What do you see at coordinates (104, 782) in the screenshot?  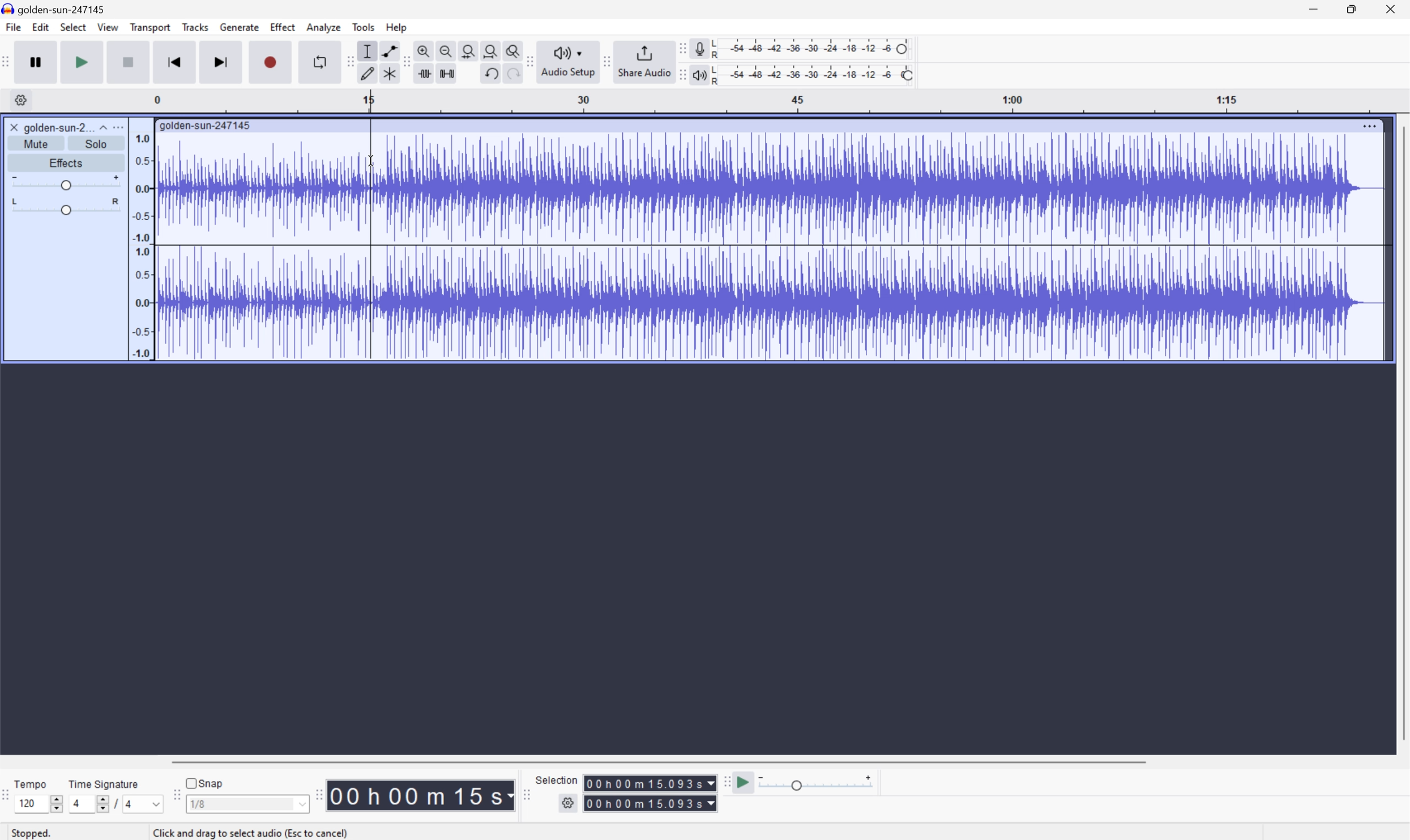 I see `Time signature` at bounding box center [104, 782].